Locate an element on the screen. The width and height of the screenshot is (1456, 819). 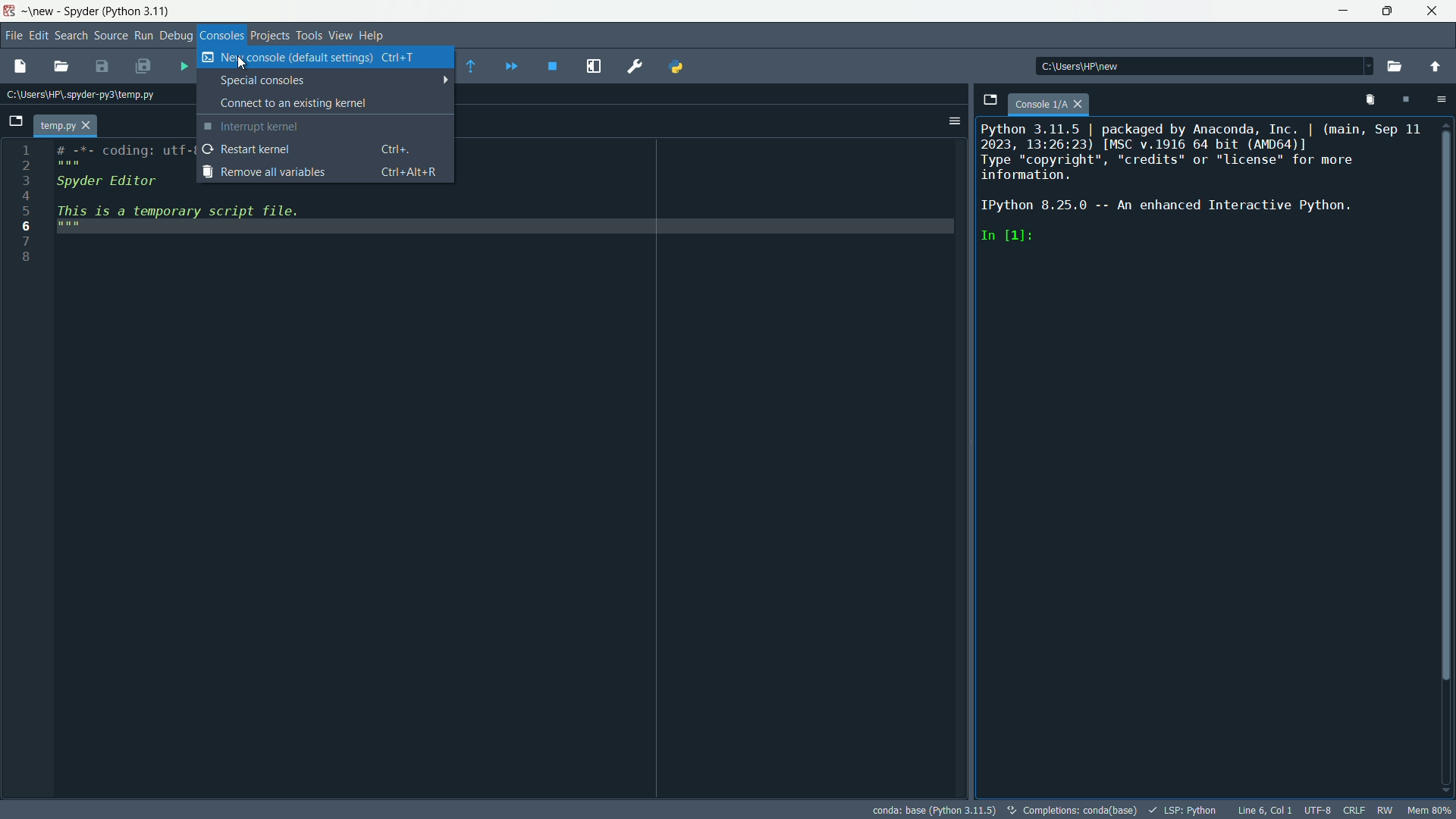
options is located at coordinates (953, 122).